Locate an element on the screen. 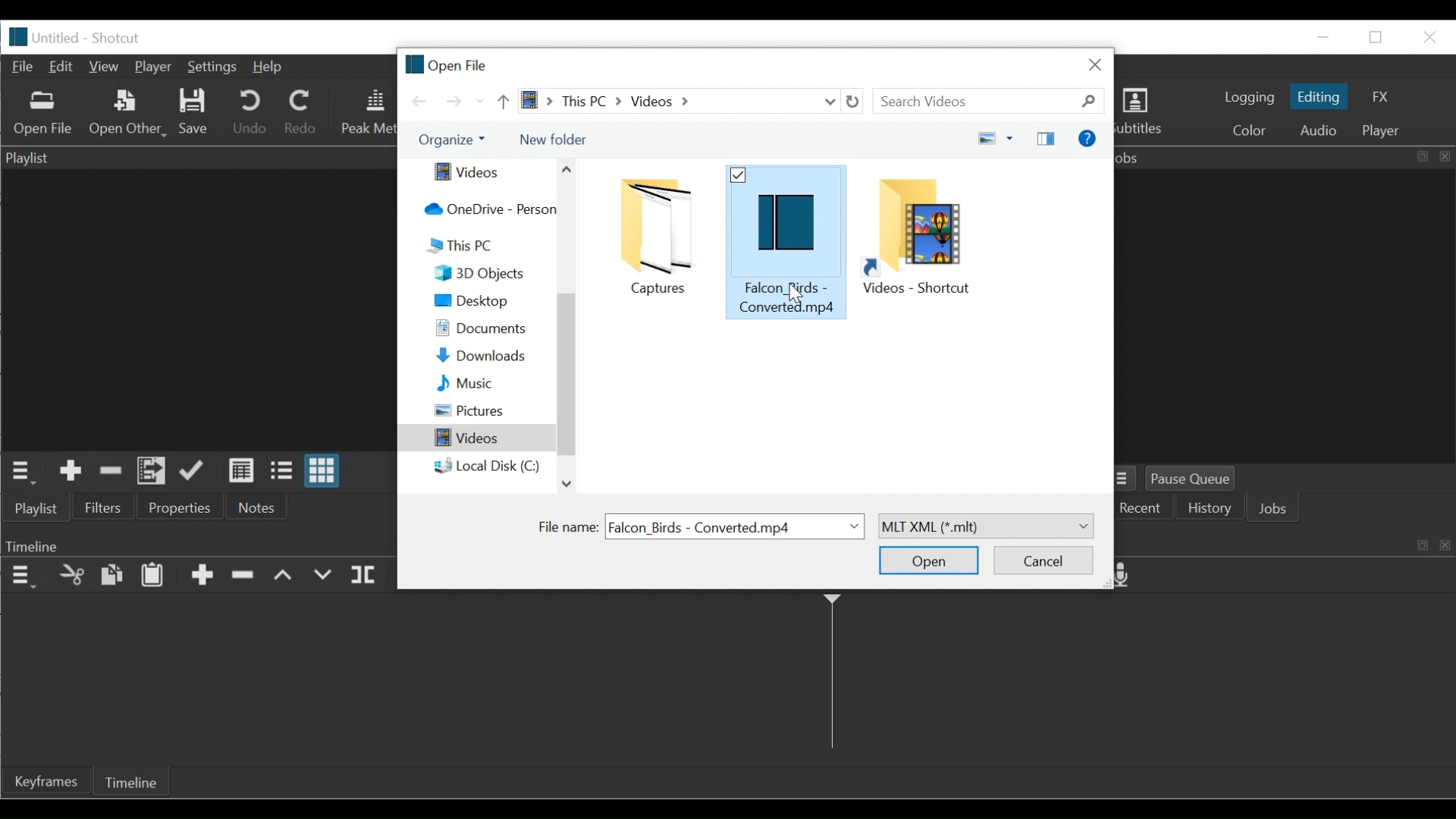  Notes is located at coordinates (256, 507).